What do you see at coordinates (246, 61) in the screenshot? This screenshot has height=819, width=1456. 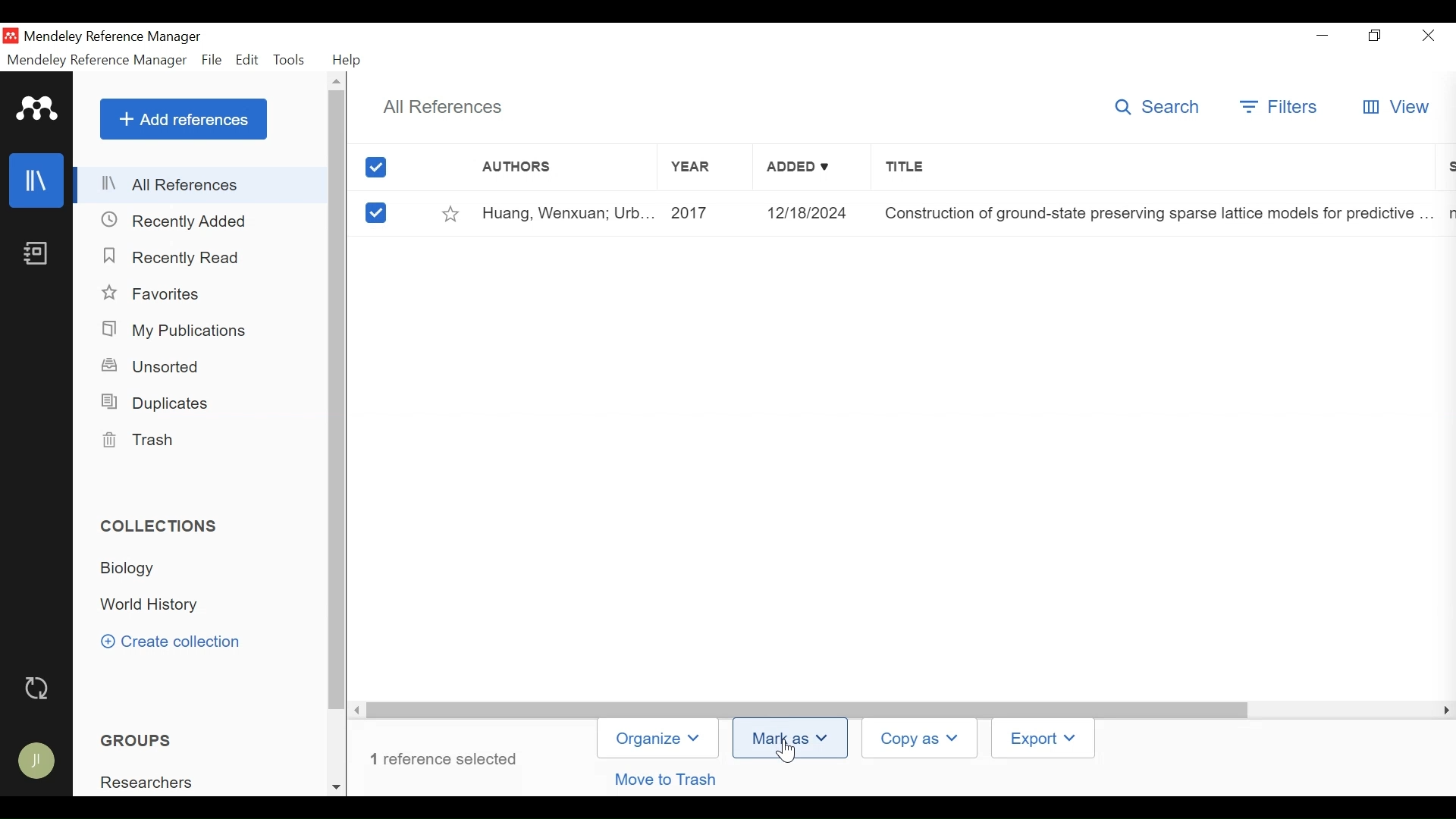 I see `Edit` at bounding box center [246, 61].